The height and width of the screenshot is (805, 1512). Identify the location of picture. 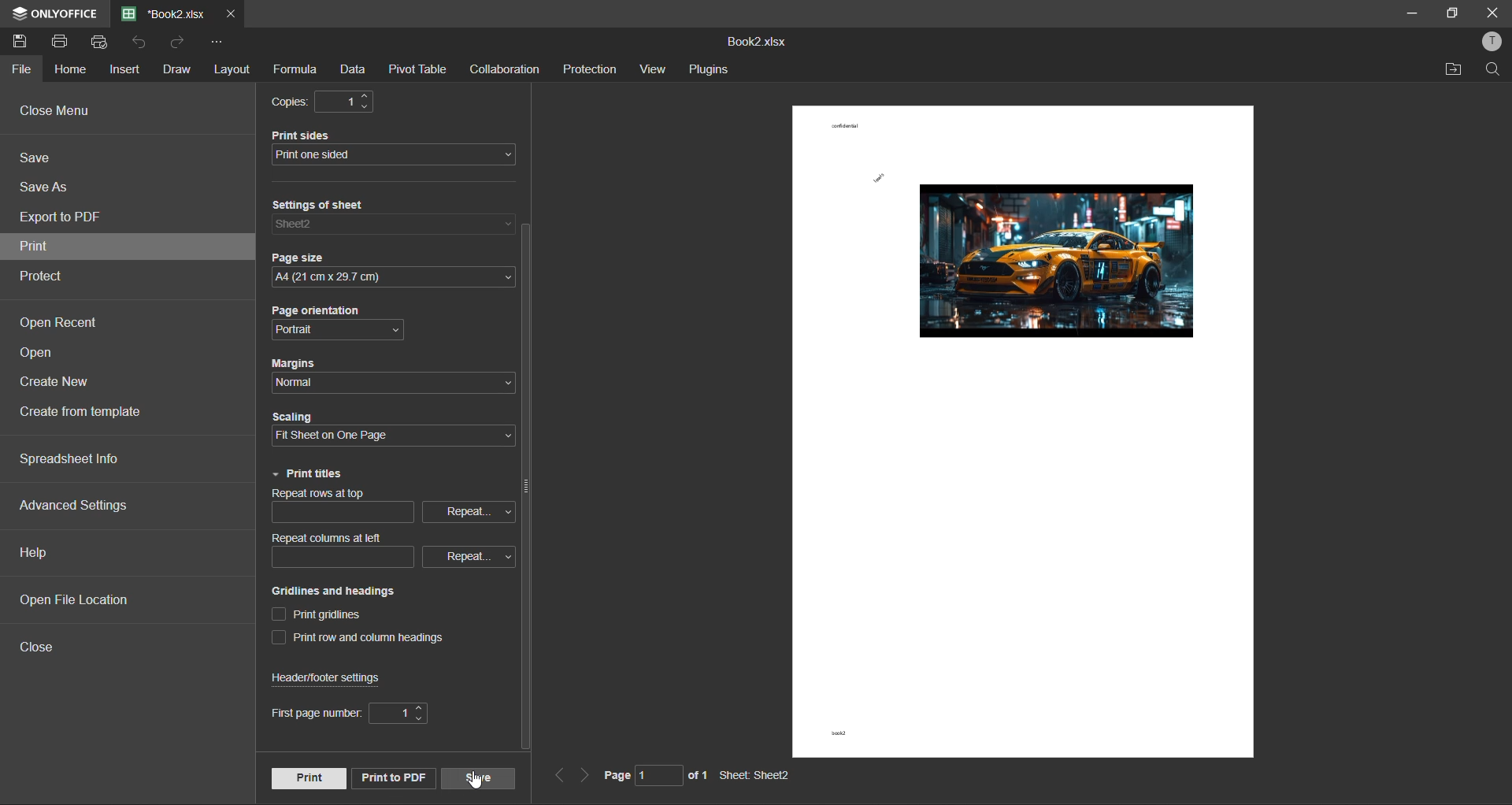
(1053, 260).